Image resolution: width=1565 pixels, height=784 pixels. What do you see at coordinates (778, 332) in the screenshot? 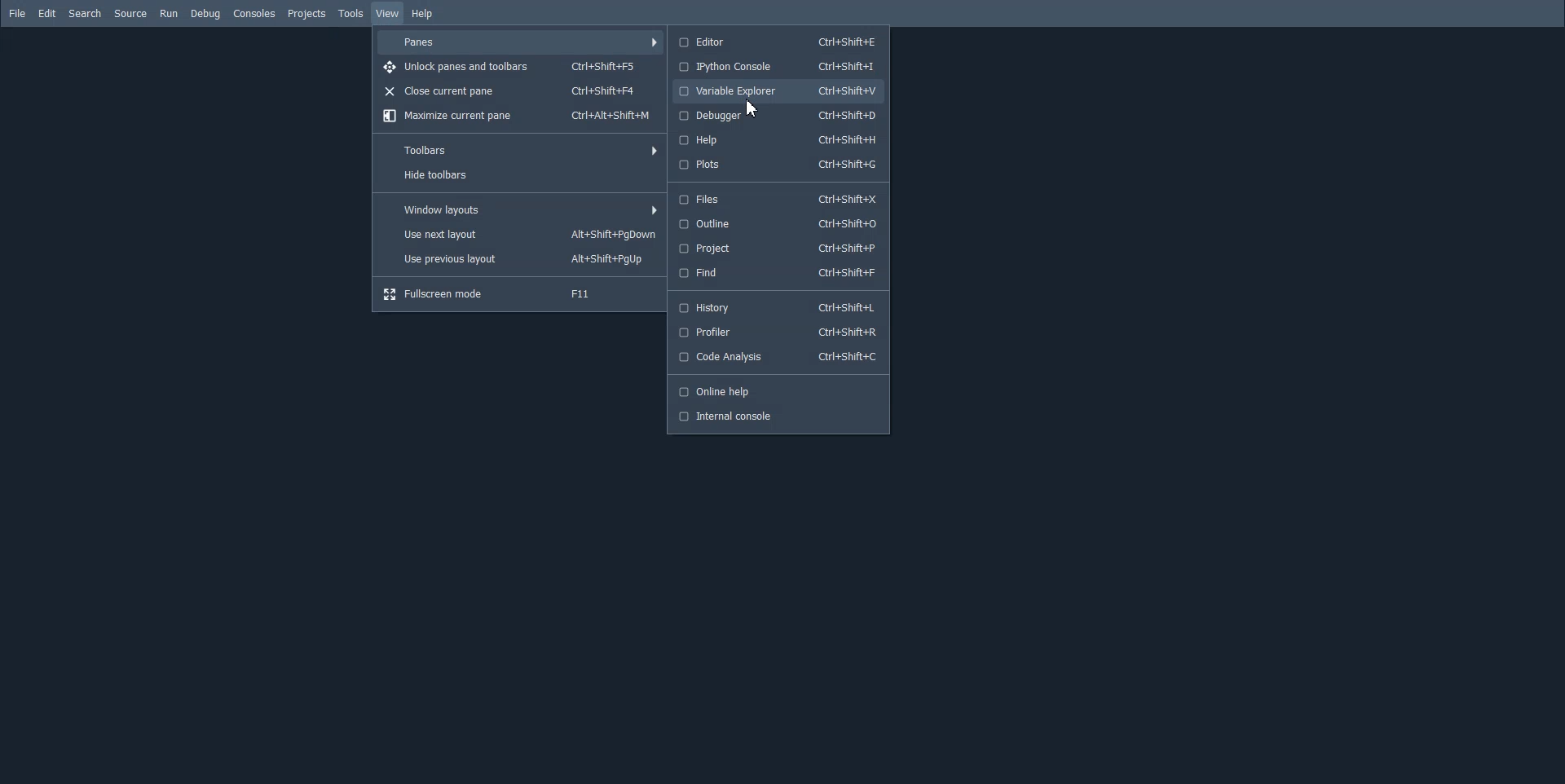
I see `Profiler` at bounding box center [778, 332].